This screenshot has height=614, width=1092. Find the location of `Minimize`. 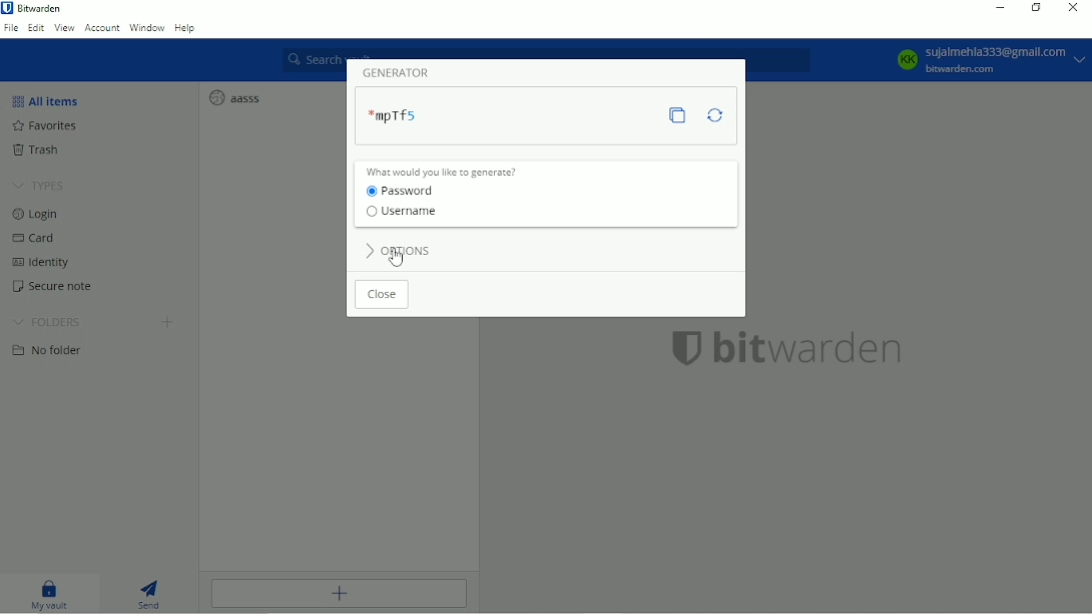

Minimize is located at coordinates (1001, 8).